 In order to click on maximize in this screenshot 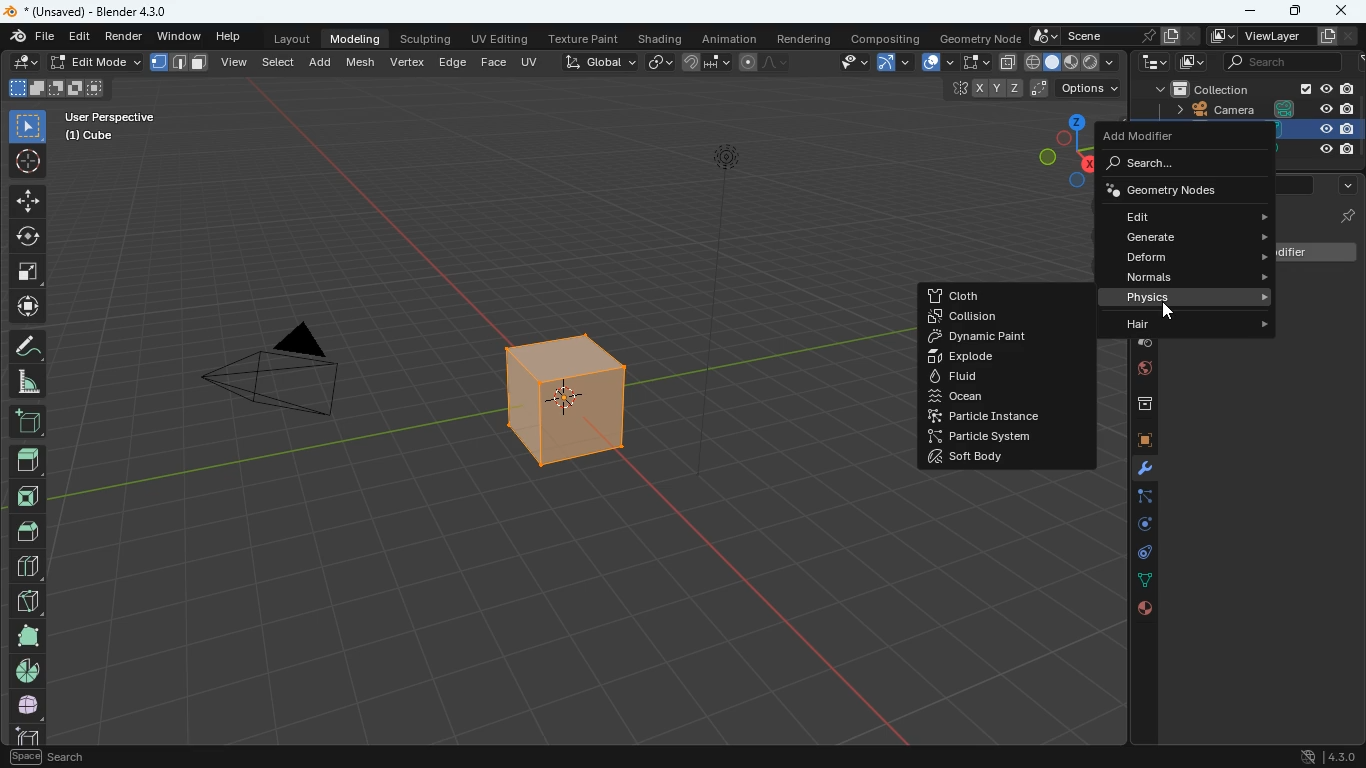, I will do `click(1293, 12)`.